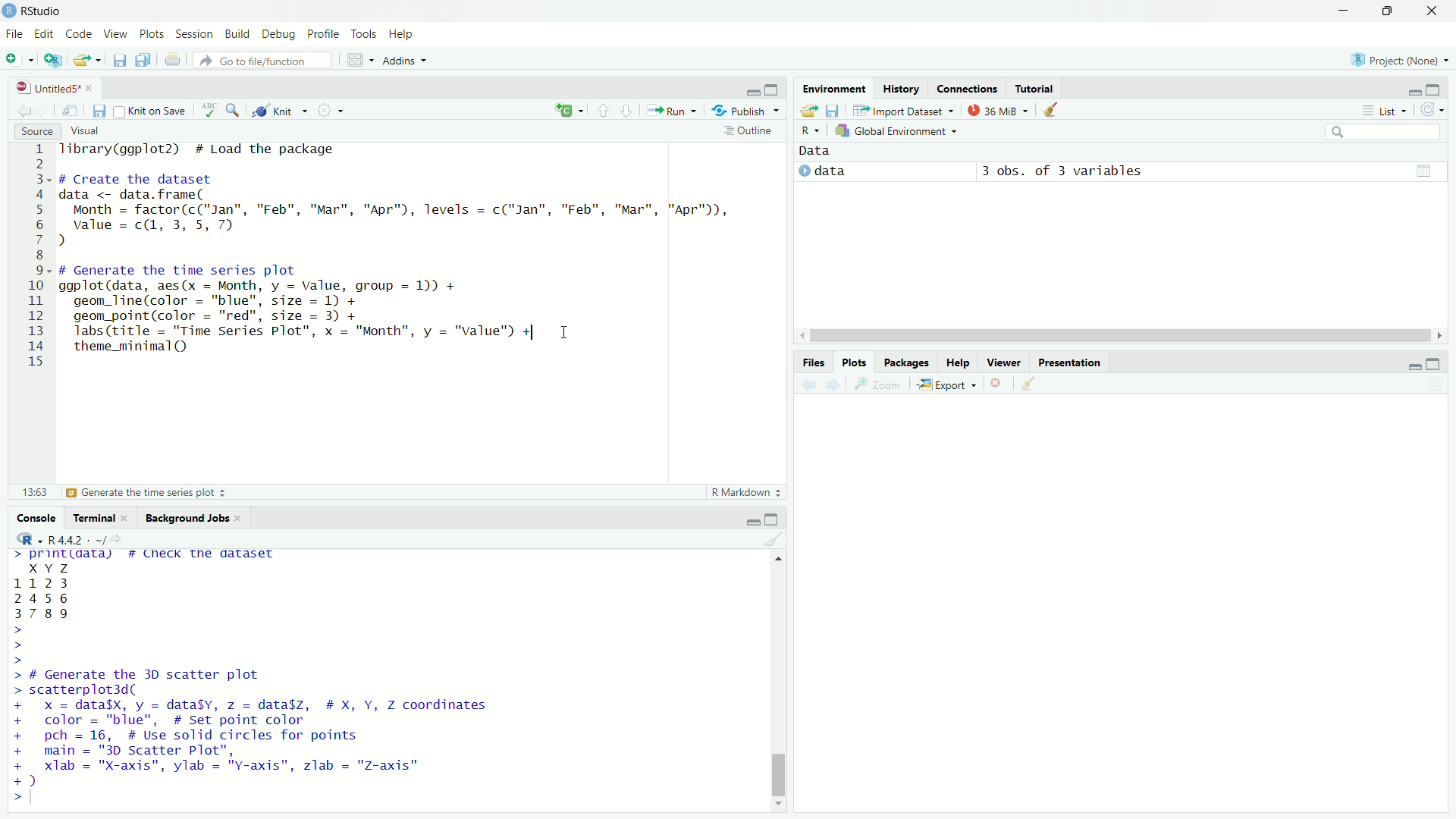 The height and width of the screenshot is (819, 1456). I want to click on generate the time series plot, so click(152, 494).